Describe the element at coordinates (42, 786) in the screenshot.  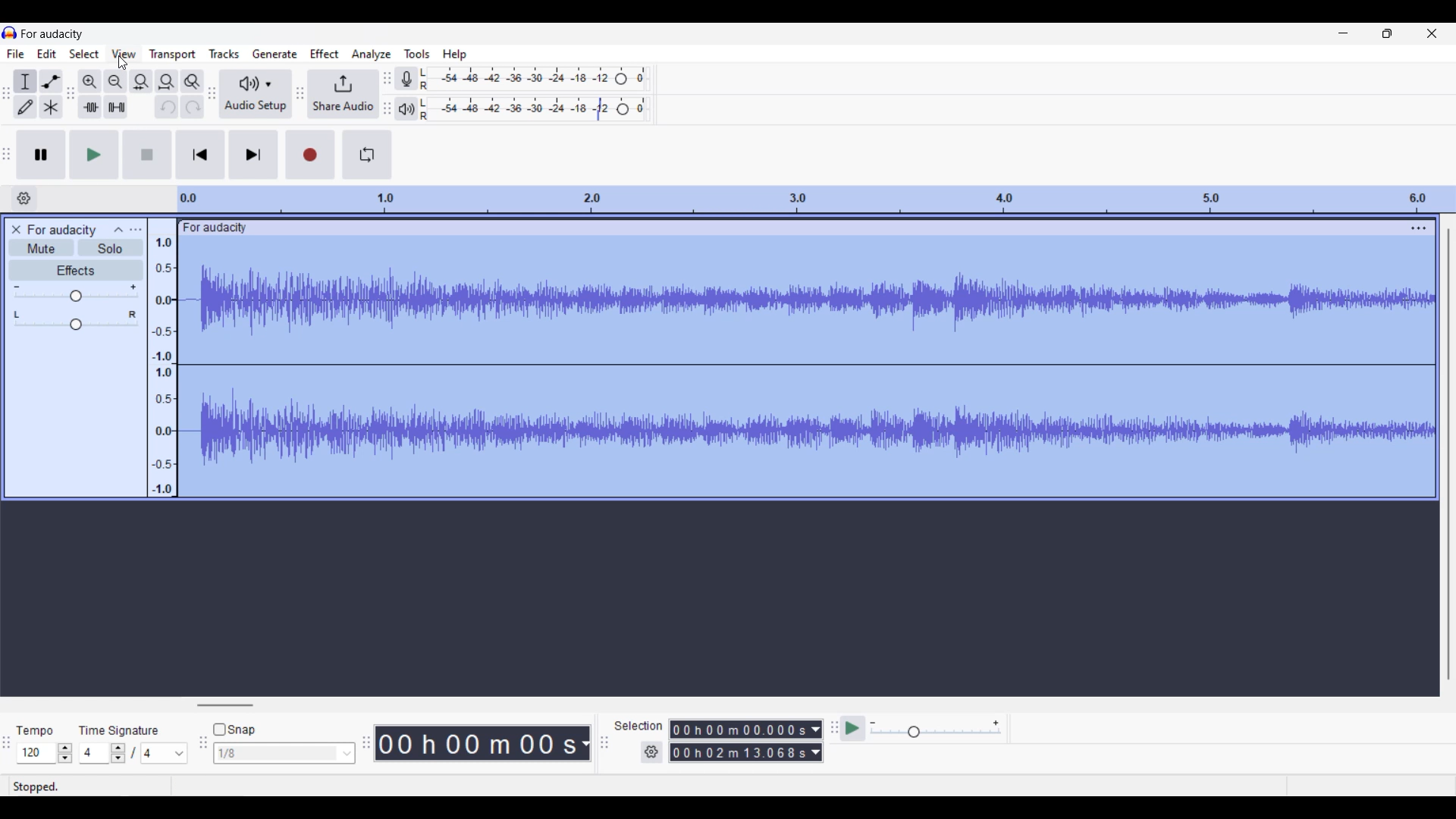
I see `Status bar information` at that location.